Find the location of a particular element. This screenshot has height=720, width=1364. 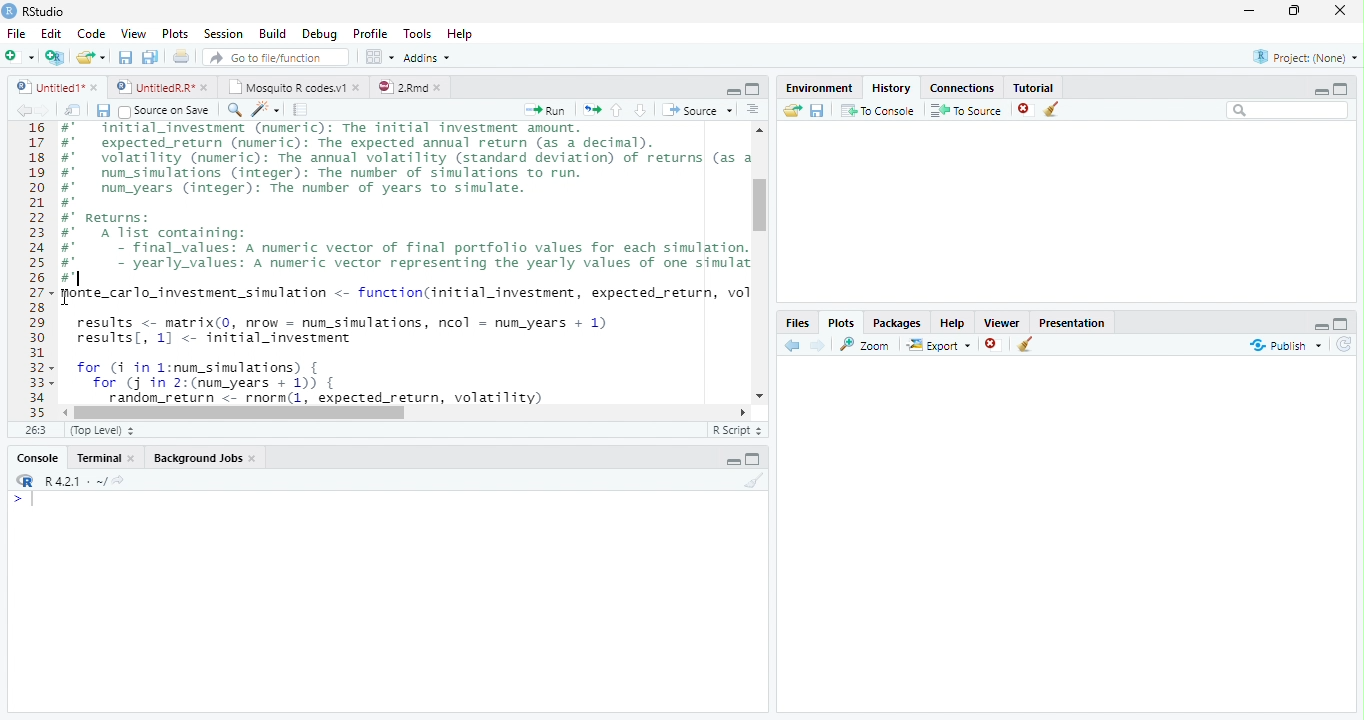

Clear is located at coordinates (1056, 110).